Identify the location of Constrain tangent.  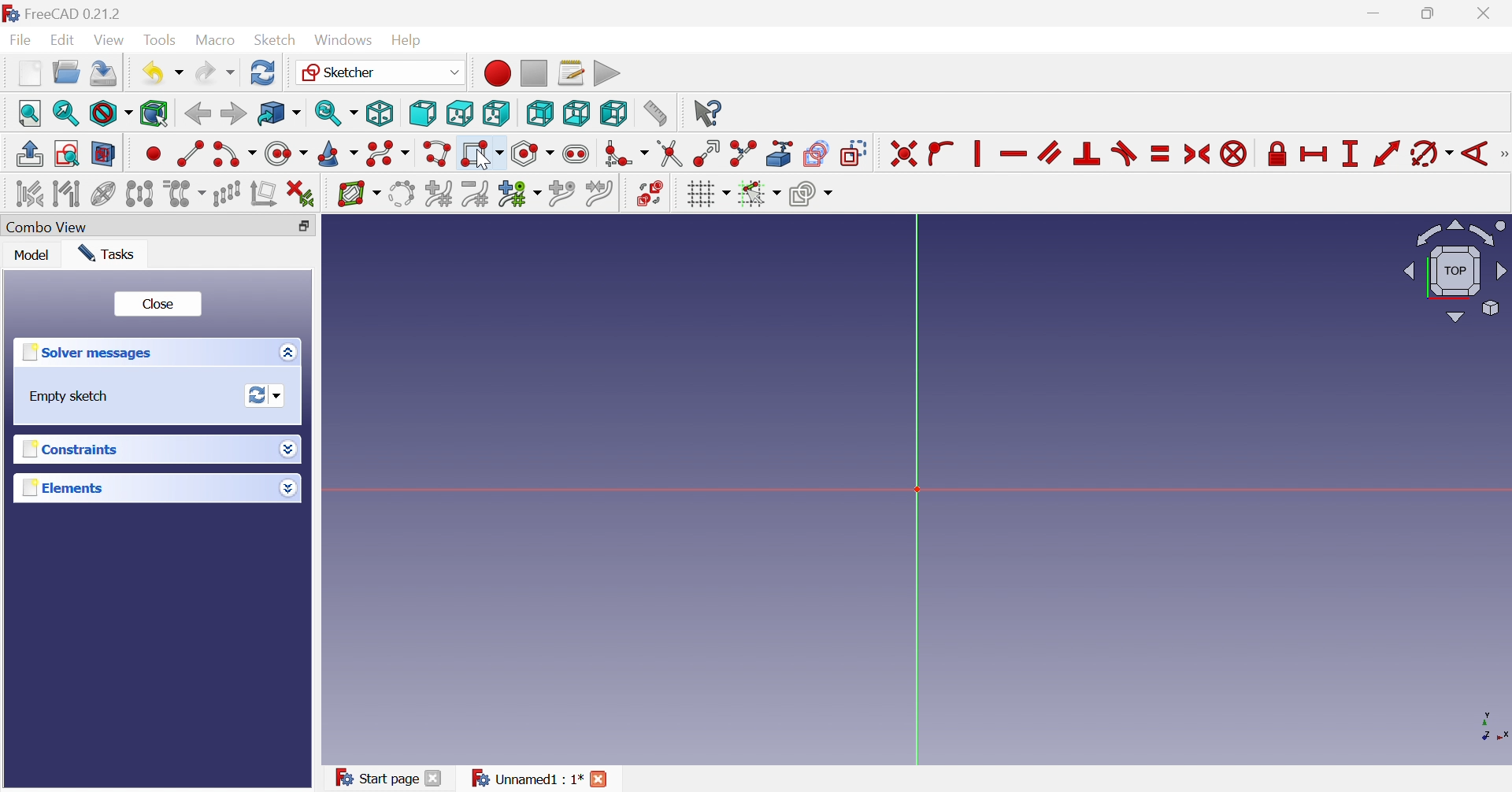
(1126, 153).